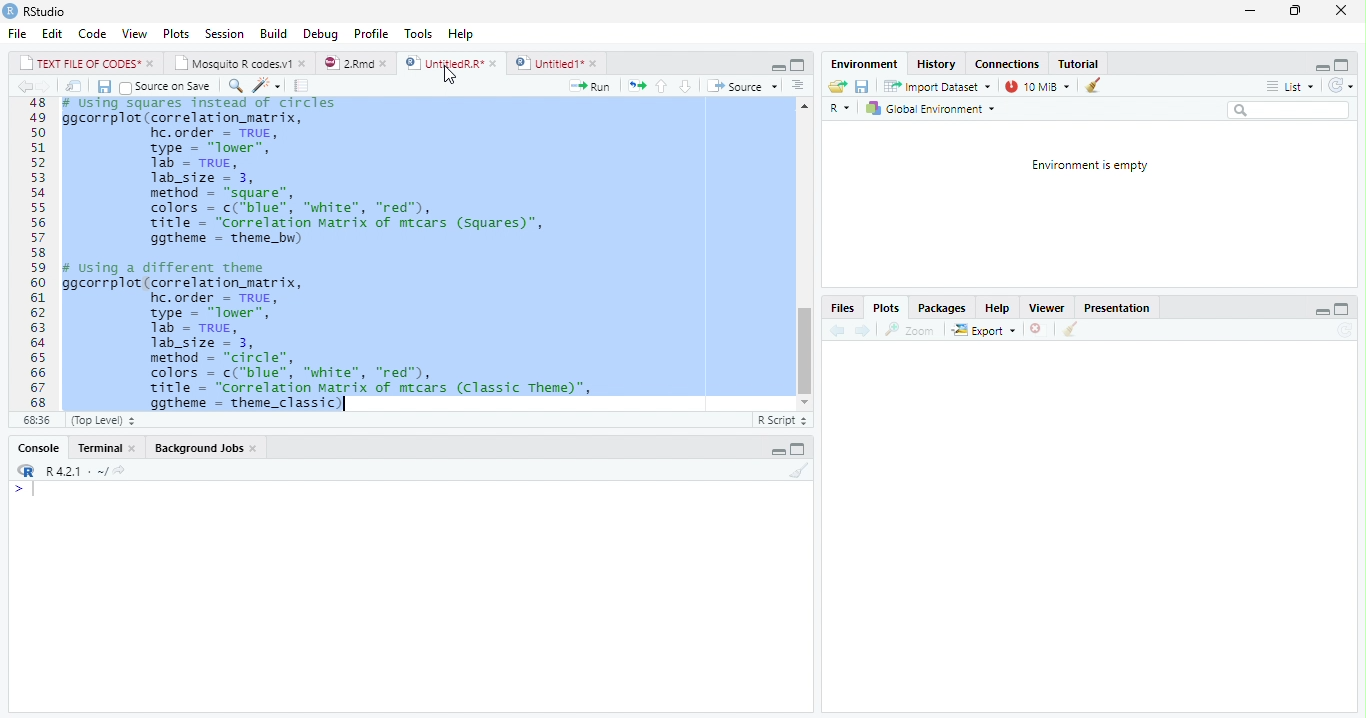 The image size is (1366, 718). I want to click on hide console, so click(798, 64).